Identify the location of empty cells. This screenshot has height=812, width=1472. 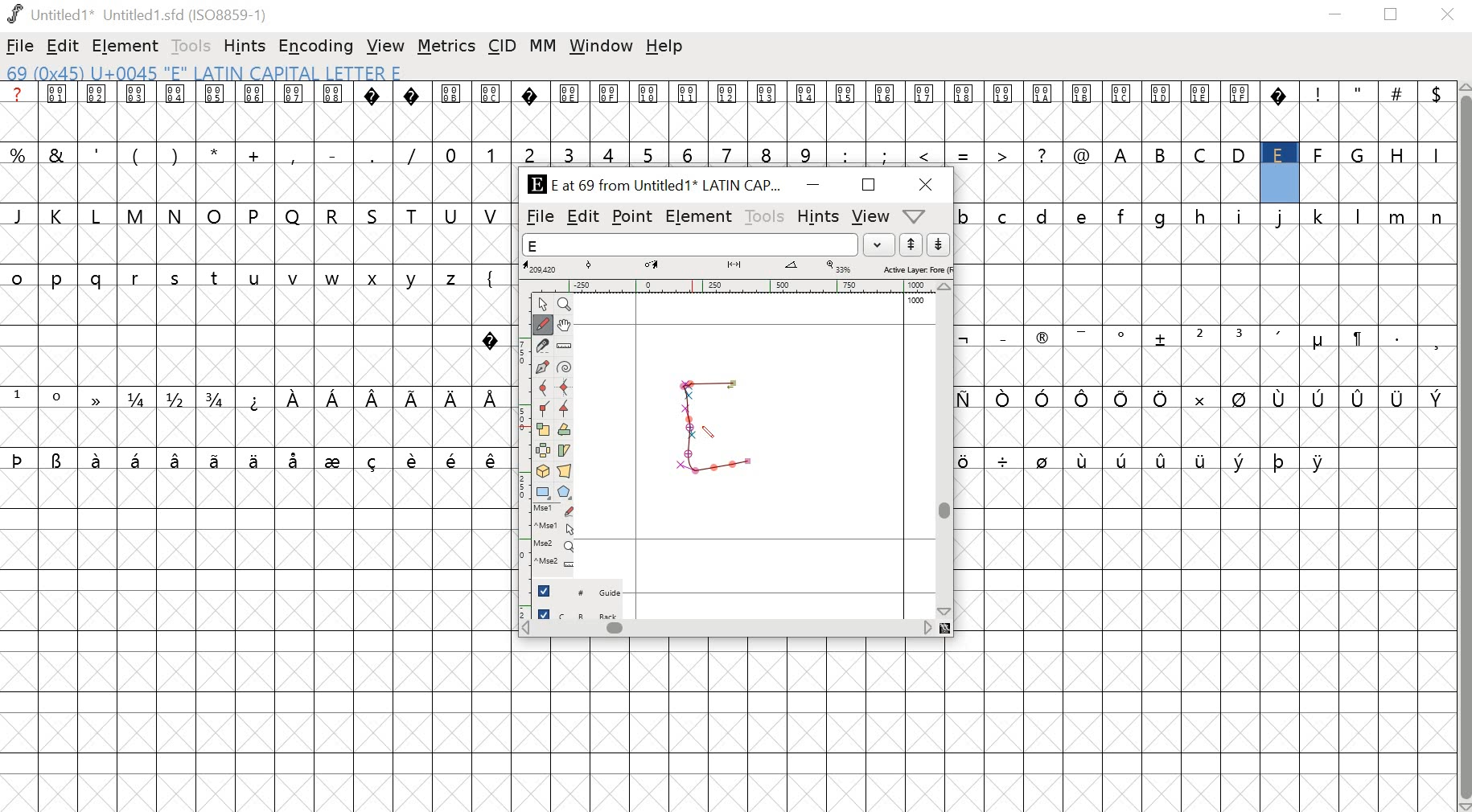
(1207, 429).